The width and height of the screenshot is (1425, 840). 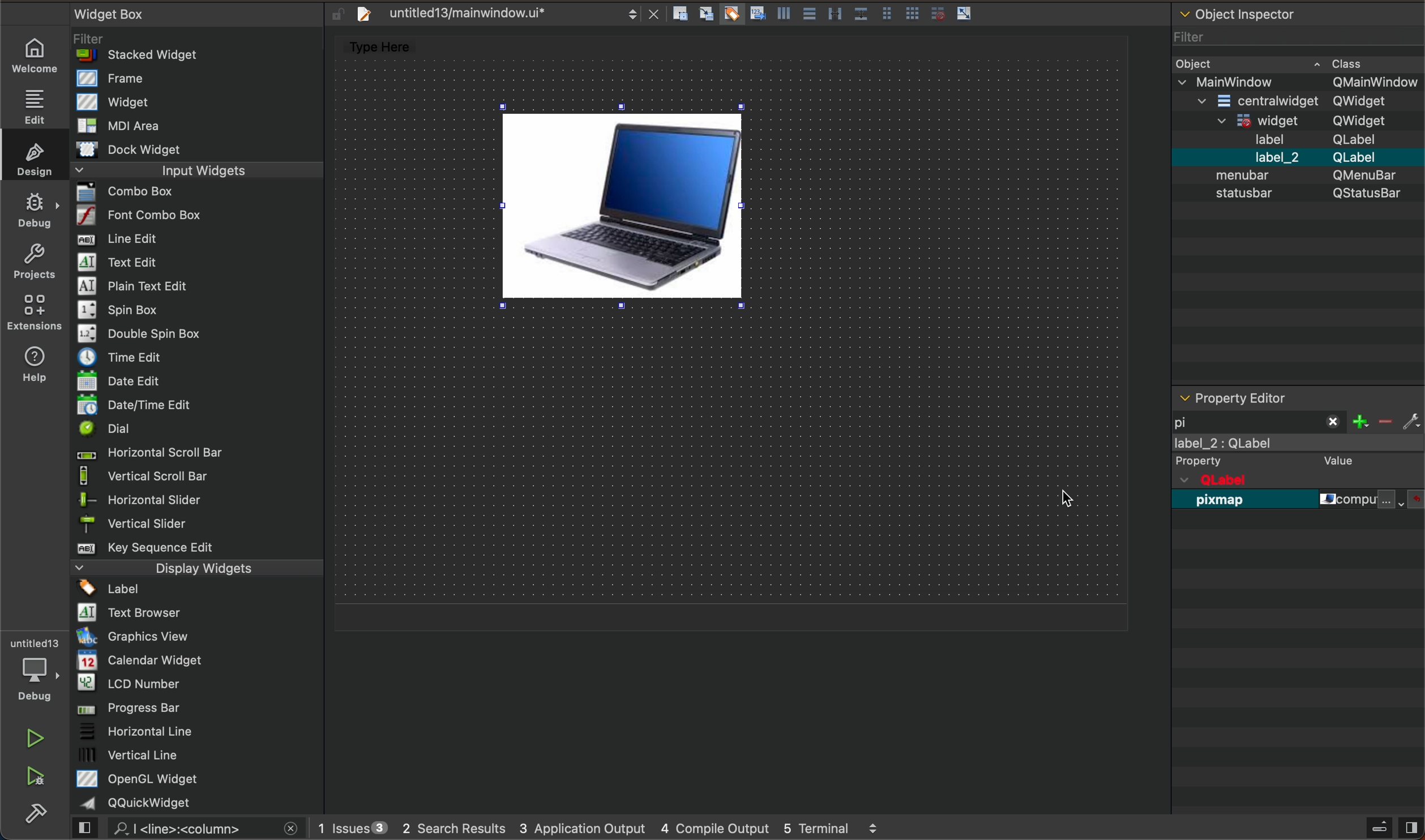 I want to click on ran and debug, so click(x=43, y=778).